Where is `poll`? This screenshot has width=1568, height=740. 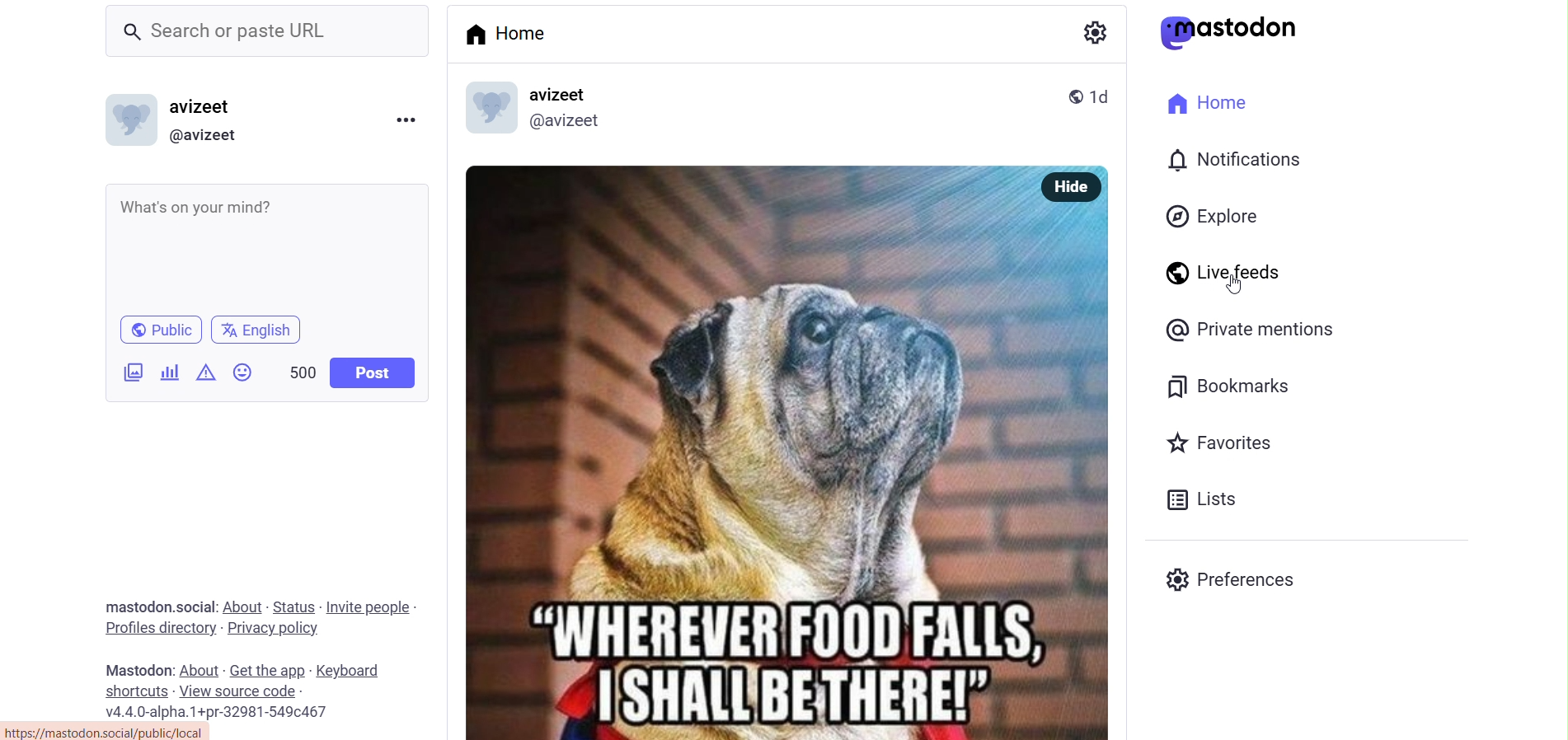
poll is located at coordinates (170, 372).